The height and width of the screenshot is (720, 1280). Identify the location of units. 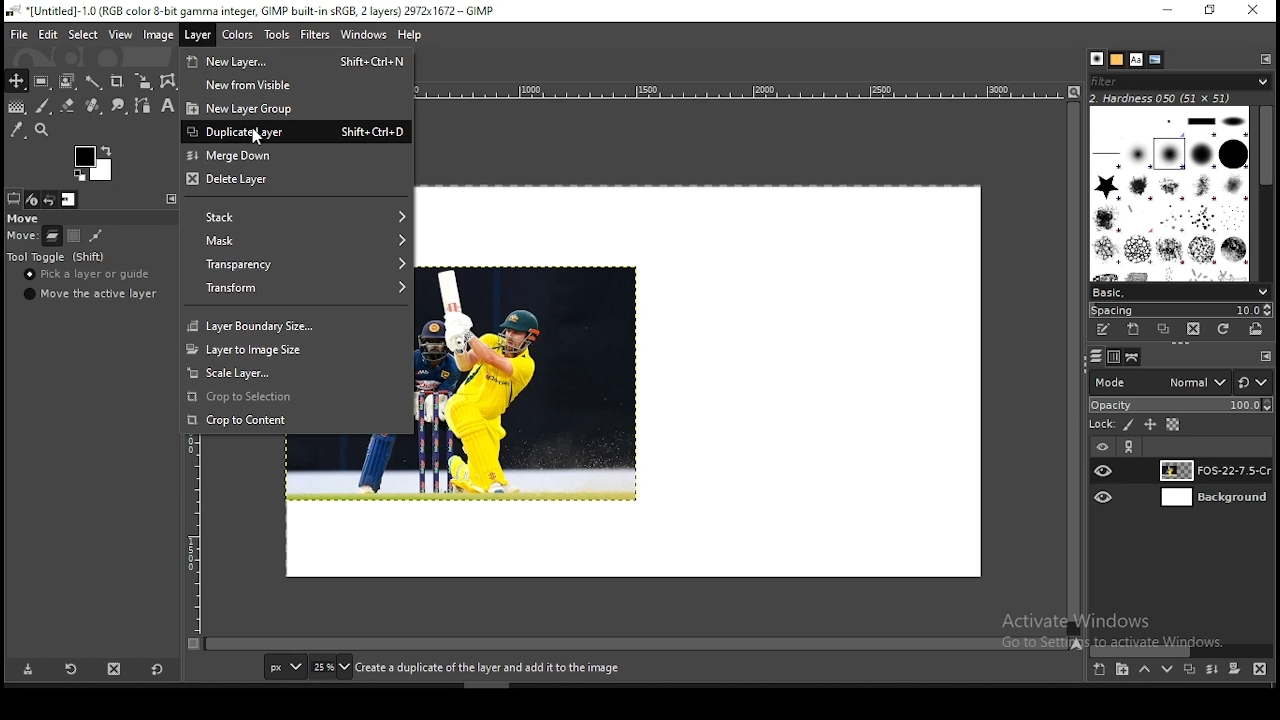
(285, 668).